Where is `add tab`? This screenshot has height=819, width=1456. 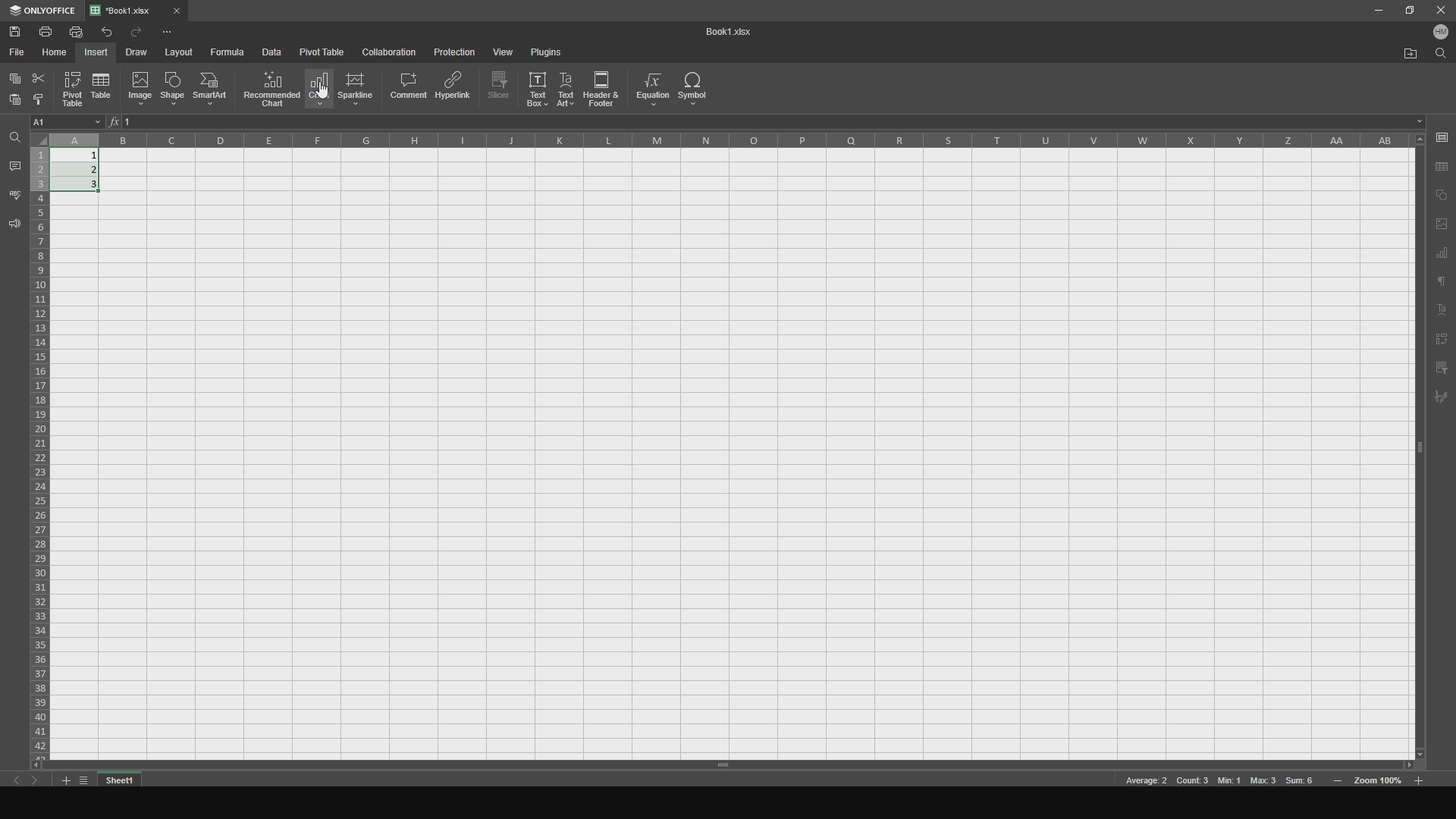
add tab is located at coordinates (63, 782).